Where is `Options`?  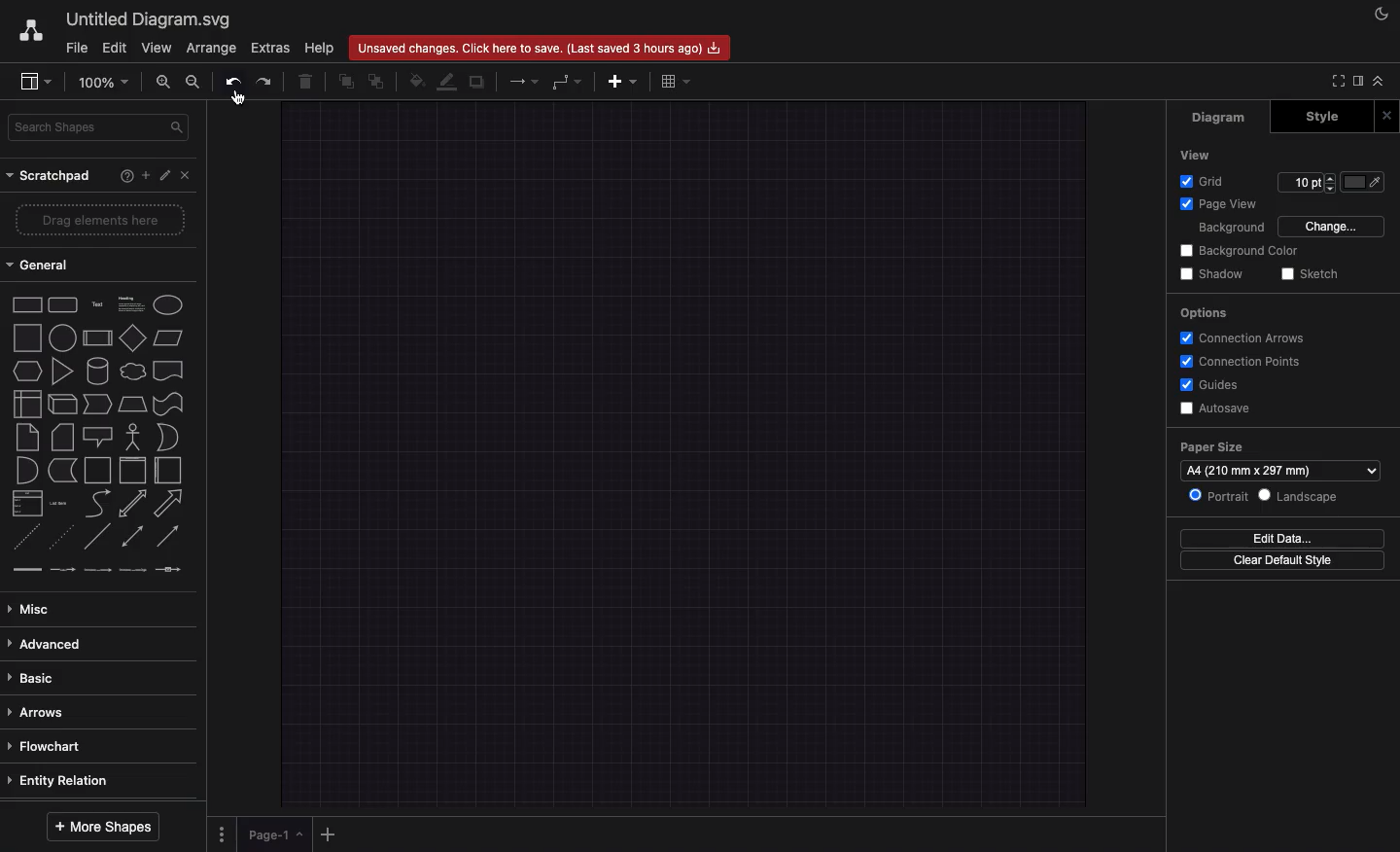 Options is located at coordinates (1202, 311).